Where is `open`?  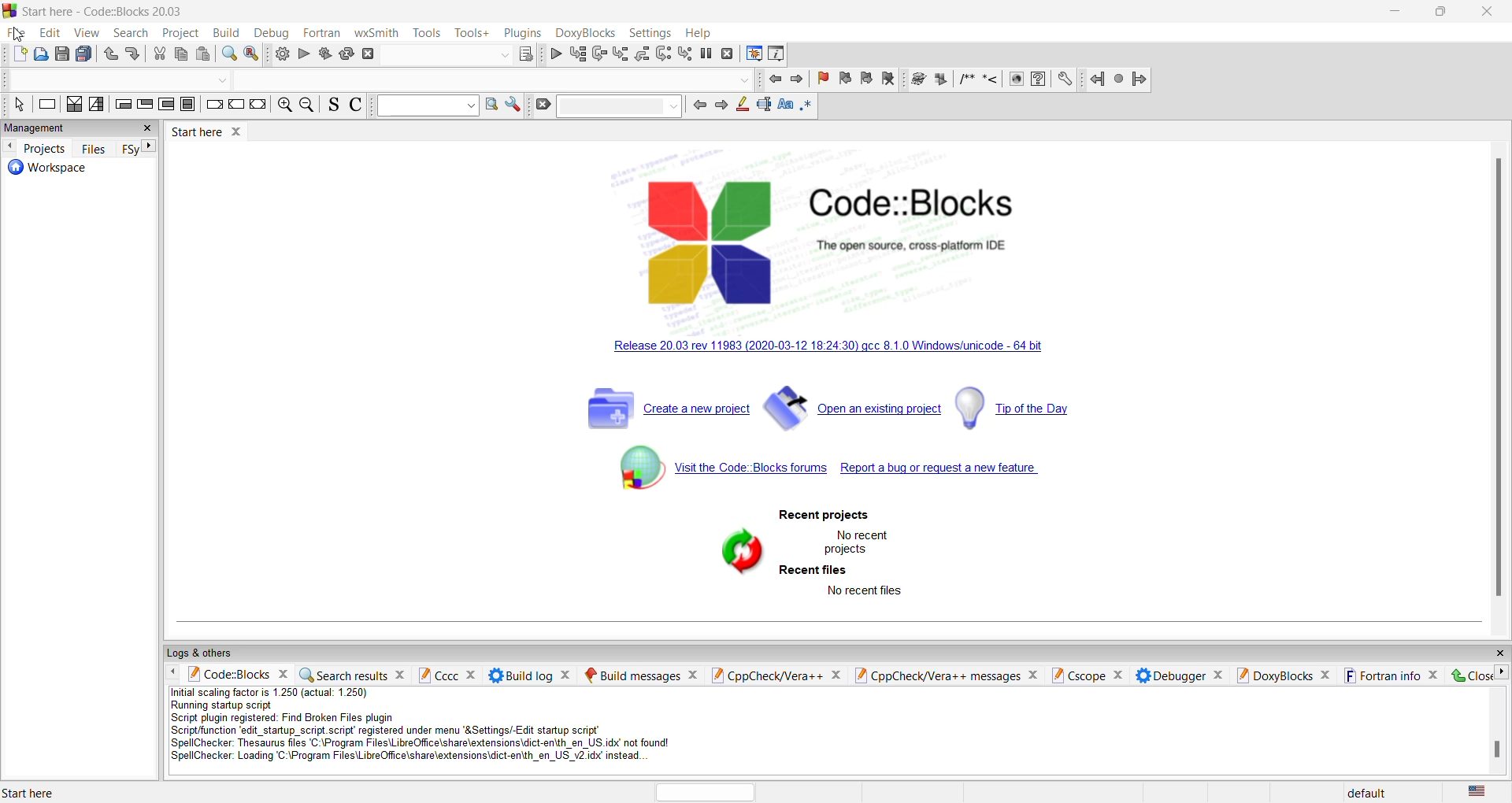
open is located at coordinates (42, 54).